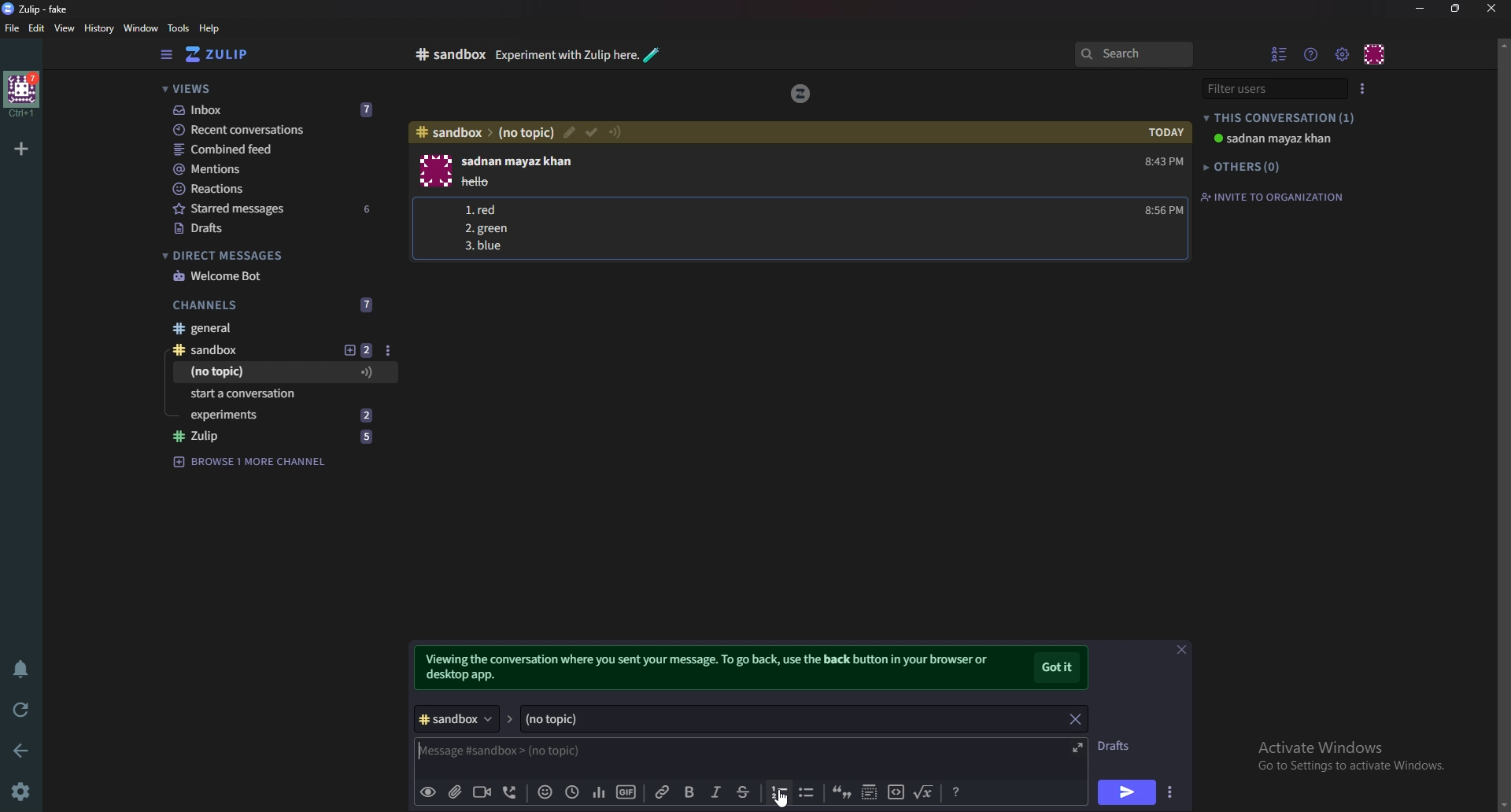 Image resolution: width=1511 pixels, height=812 pixels. I want to click on Channels, so click(276, 303).